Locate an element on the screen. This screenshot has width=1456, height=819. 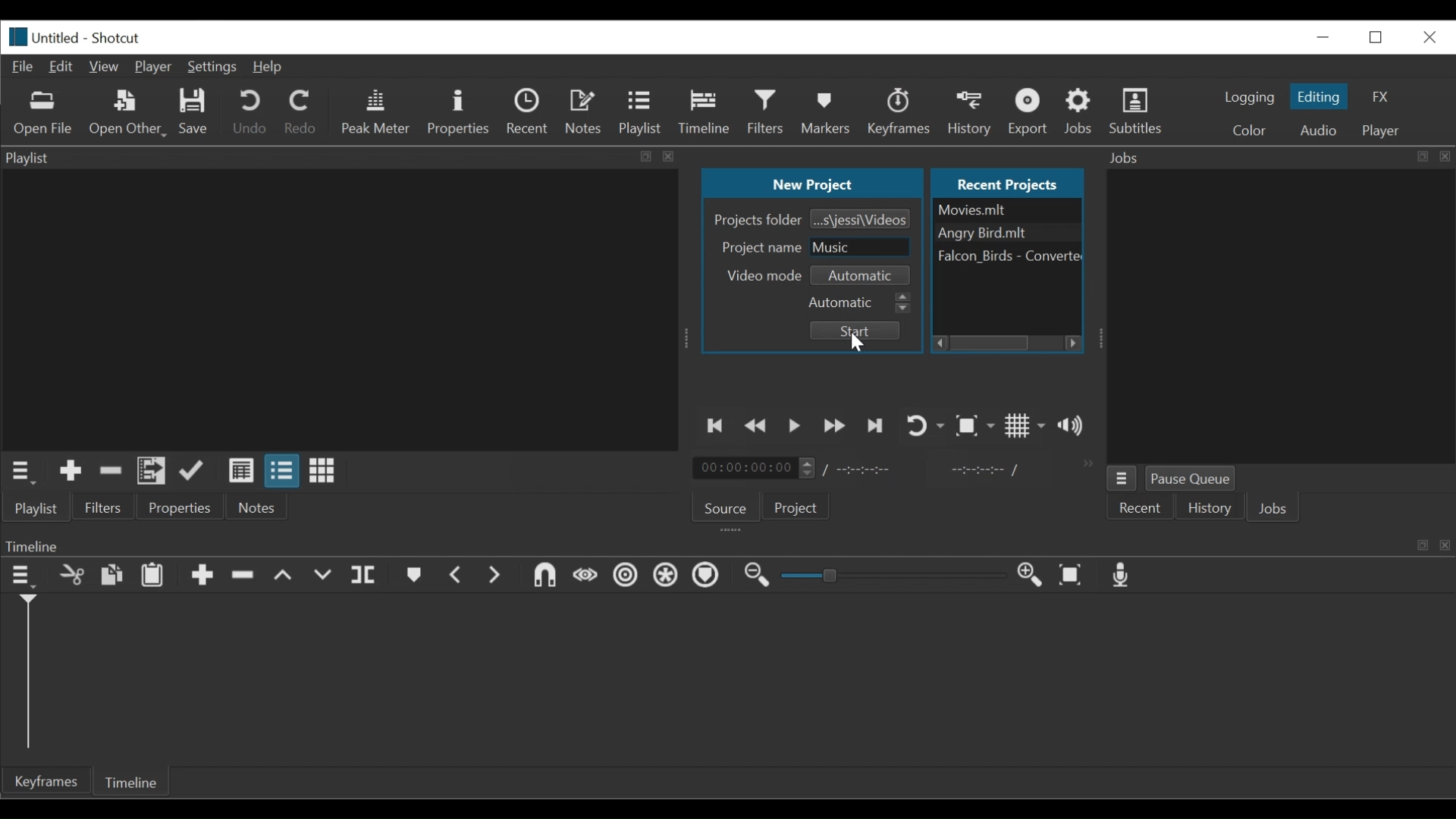
Jobs Panel is located at coordinates (1279, 158).